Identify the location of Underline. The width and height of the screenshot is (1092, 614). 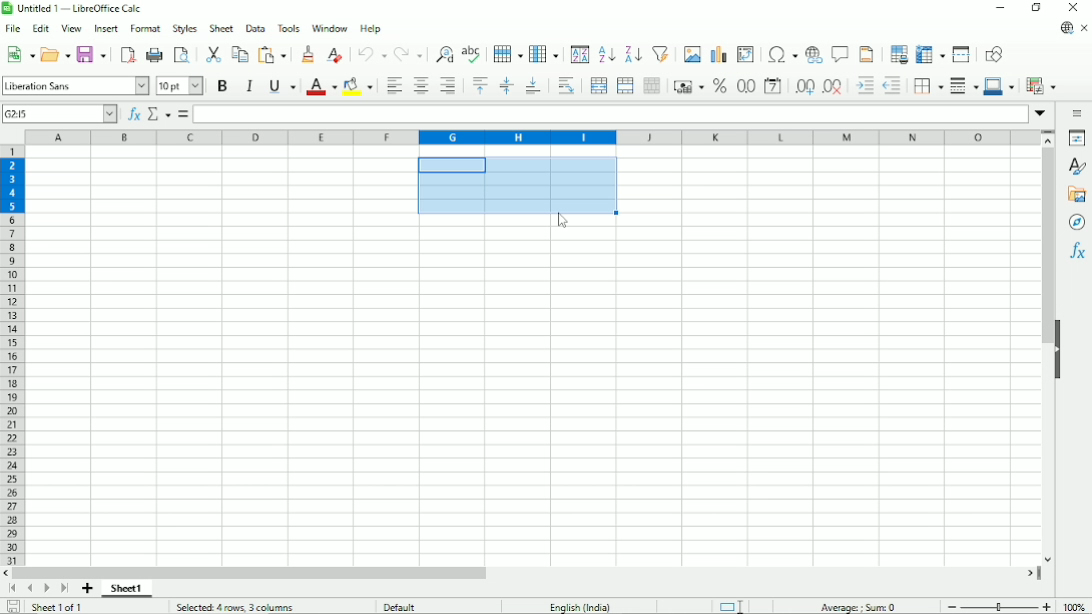
(281, 85).